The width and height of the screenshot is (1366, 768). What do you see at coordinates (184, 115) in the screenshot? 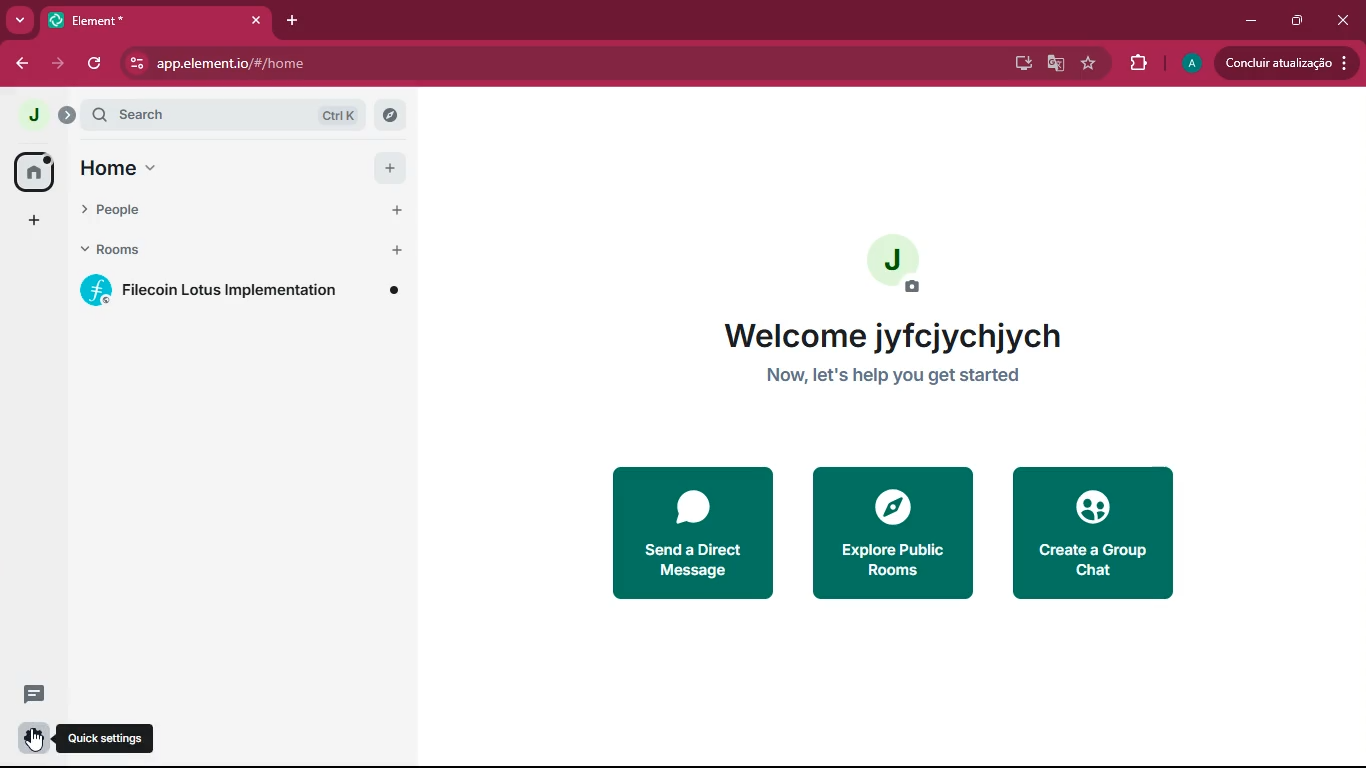
I see `search` at bounding box center [184, 115].